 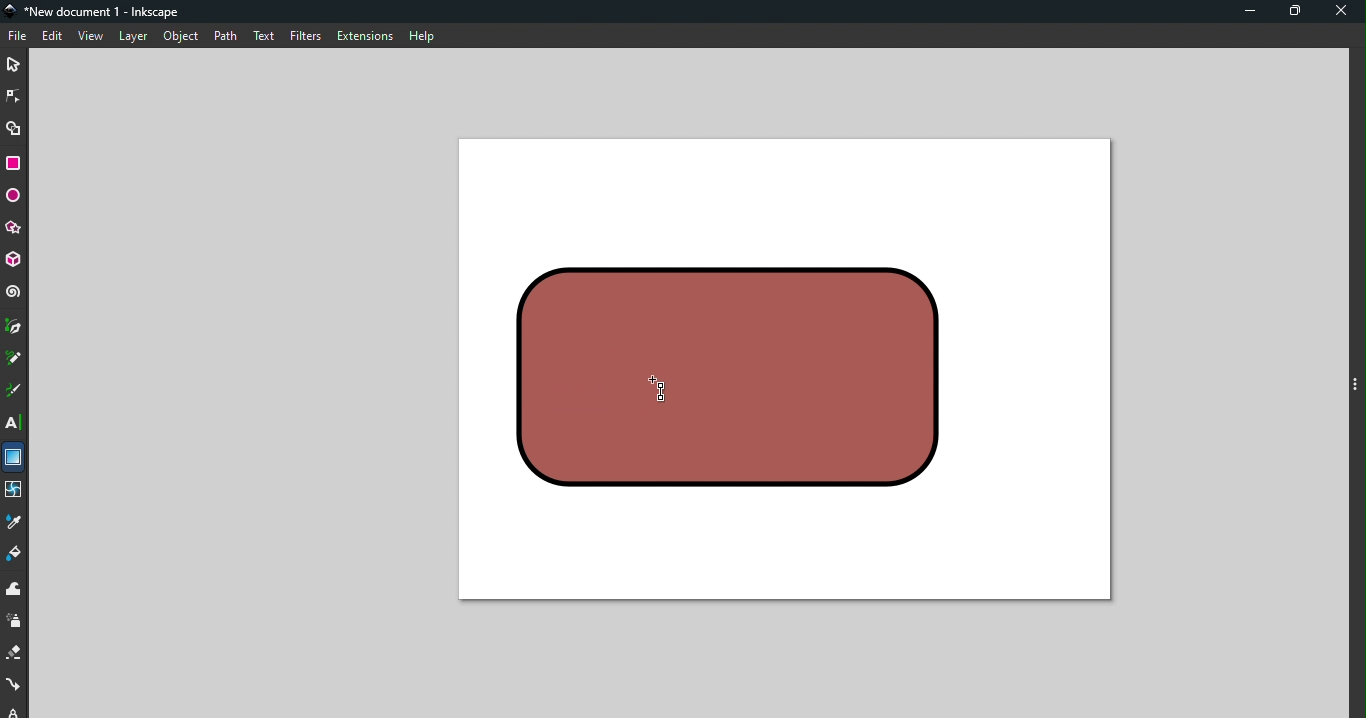 I want to click on Tweak tool, so click(x=14, y=590).